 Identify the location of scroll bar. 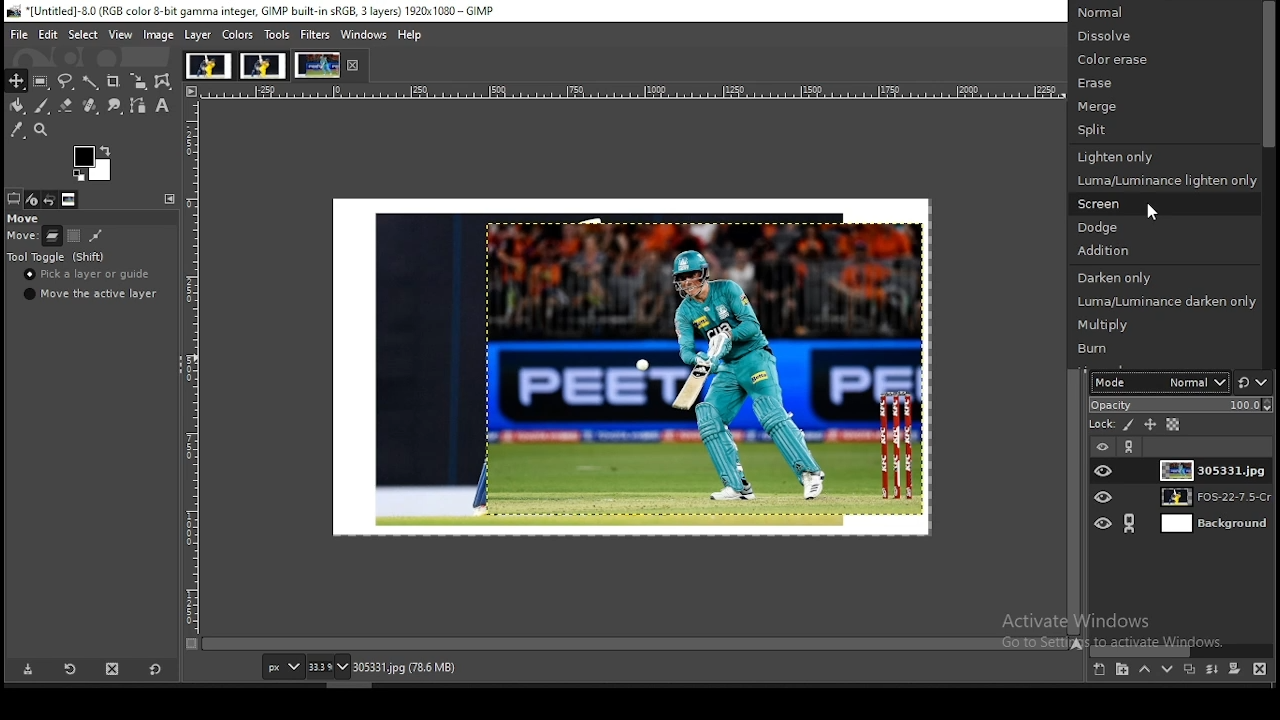
(635, 643).